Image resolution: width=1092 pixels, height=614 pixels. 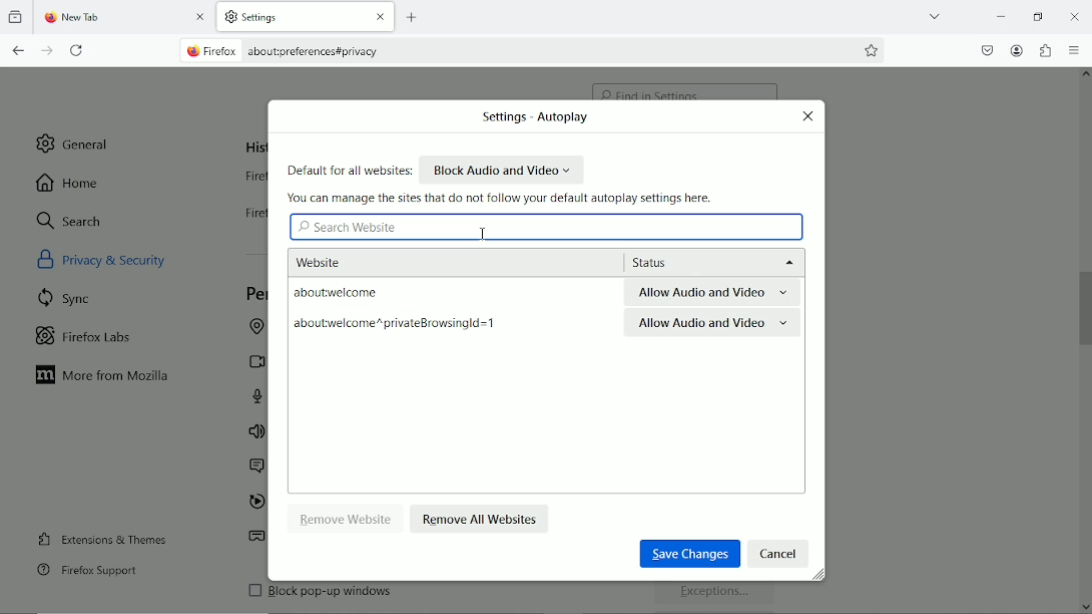 What do you see at coordinates (256, 433) in the screenshot?
I see `speaker selection` at bounding box center [256, 433].